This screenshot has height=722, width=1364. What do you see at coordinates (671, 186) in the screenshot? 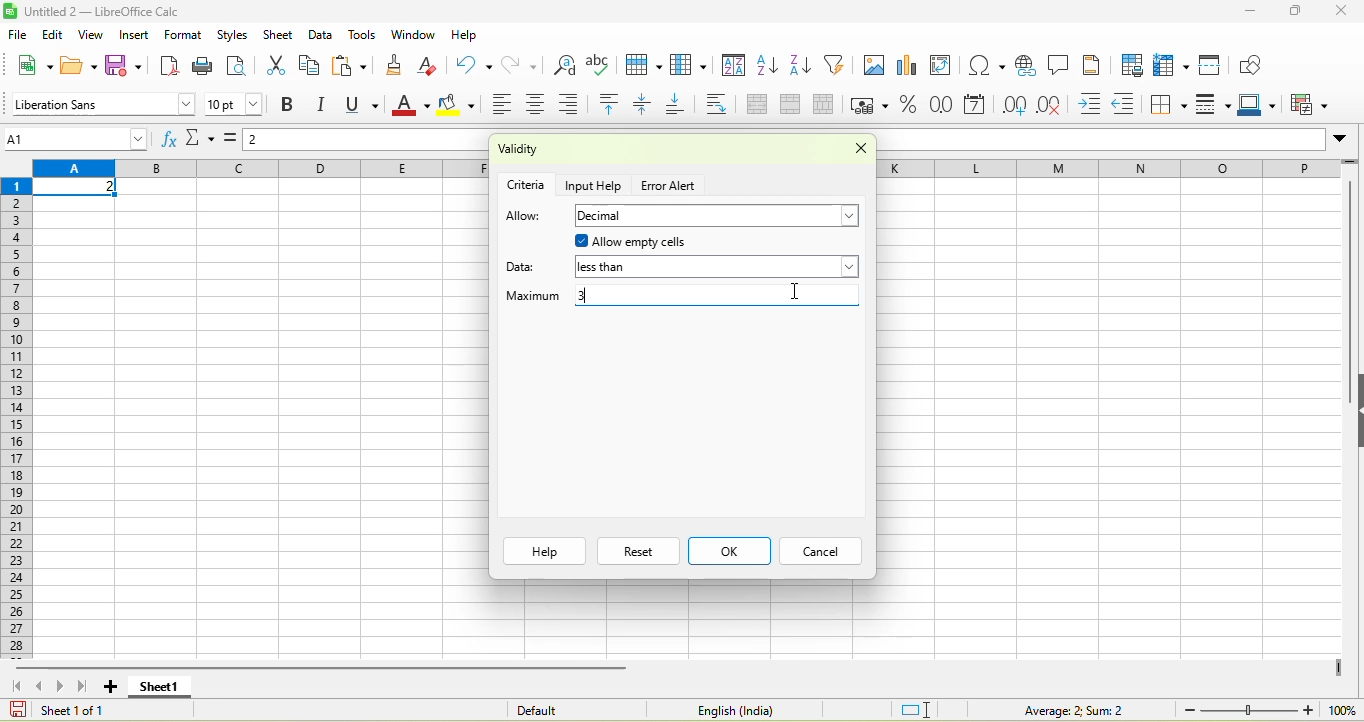
I see `error alert` at bounding box center [671, 186].